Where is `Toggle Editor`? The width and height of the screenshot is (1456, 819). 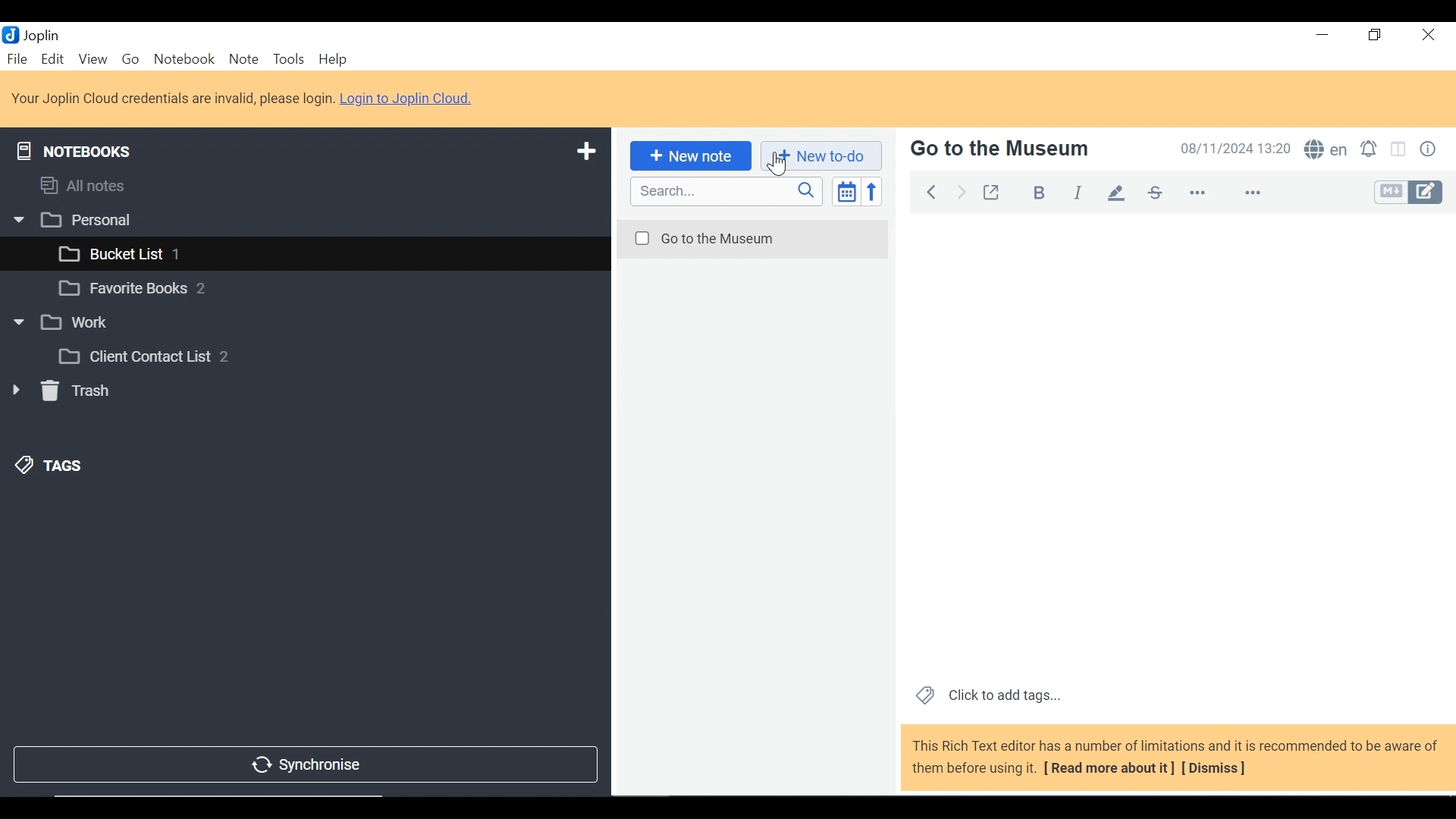 Toggle Editor is located at coordinates (1407, 193).